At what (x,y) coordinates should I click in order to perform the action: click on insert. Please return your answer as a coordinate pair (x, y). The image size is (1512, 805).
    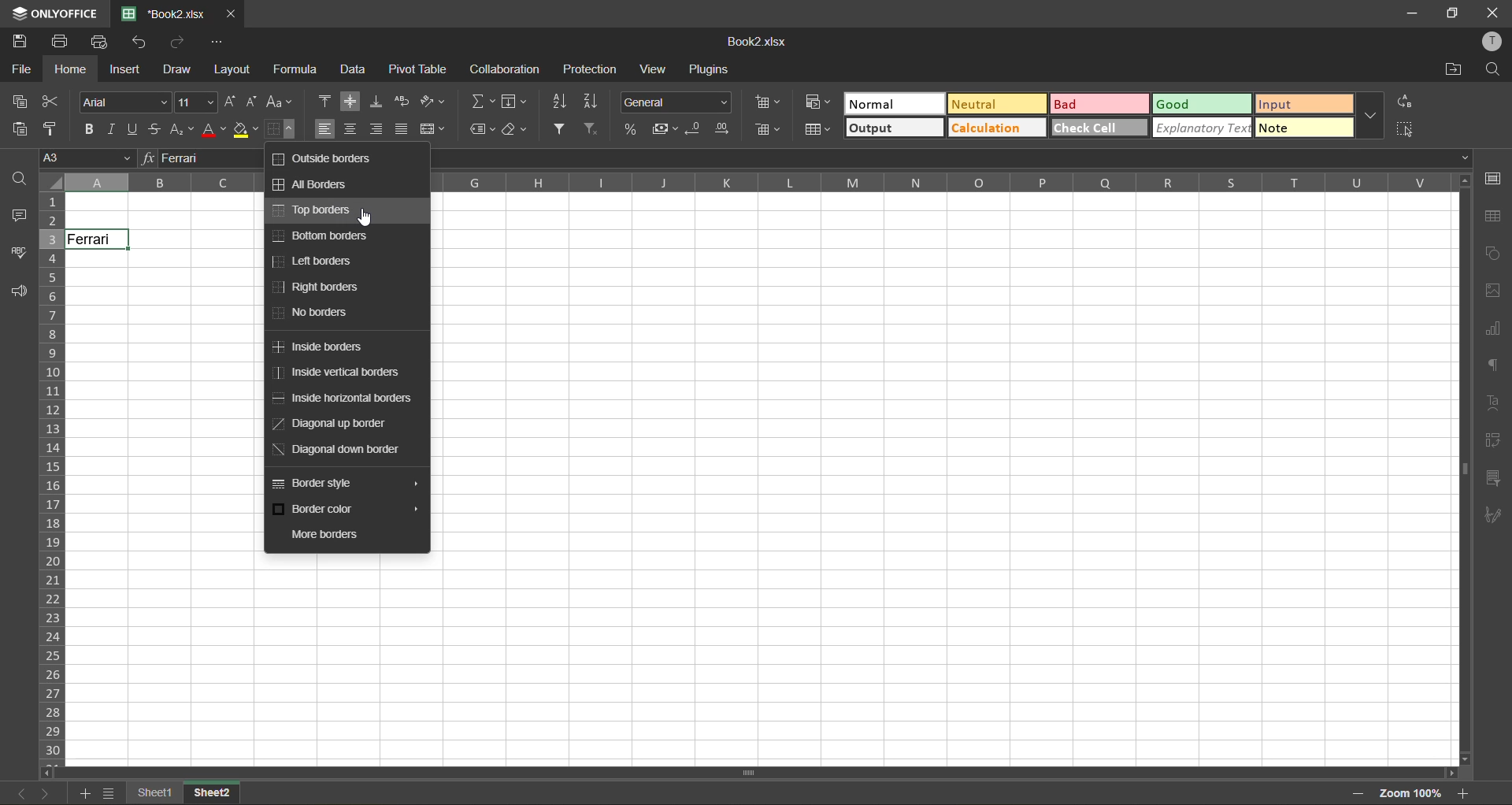
    Looking at the image, I should click on (124, 72).